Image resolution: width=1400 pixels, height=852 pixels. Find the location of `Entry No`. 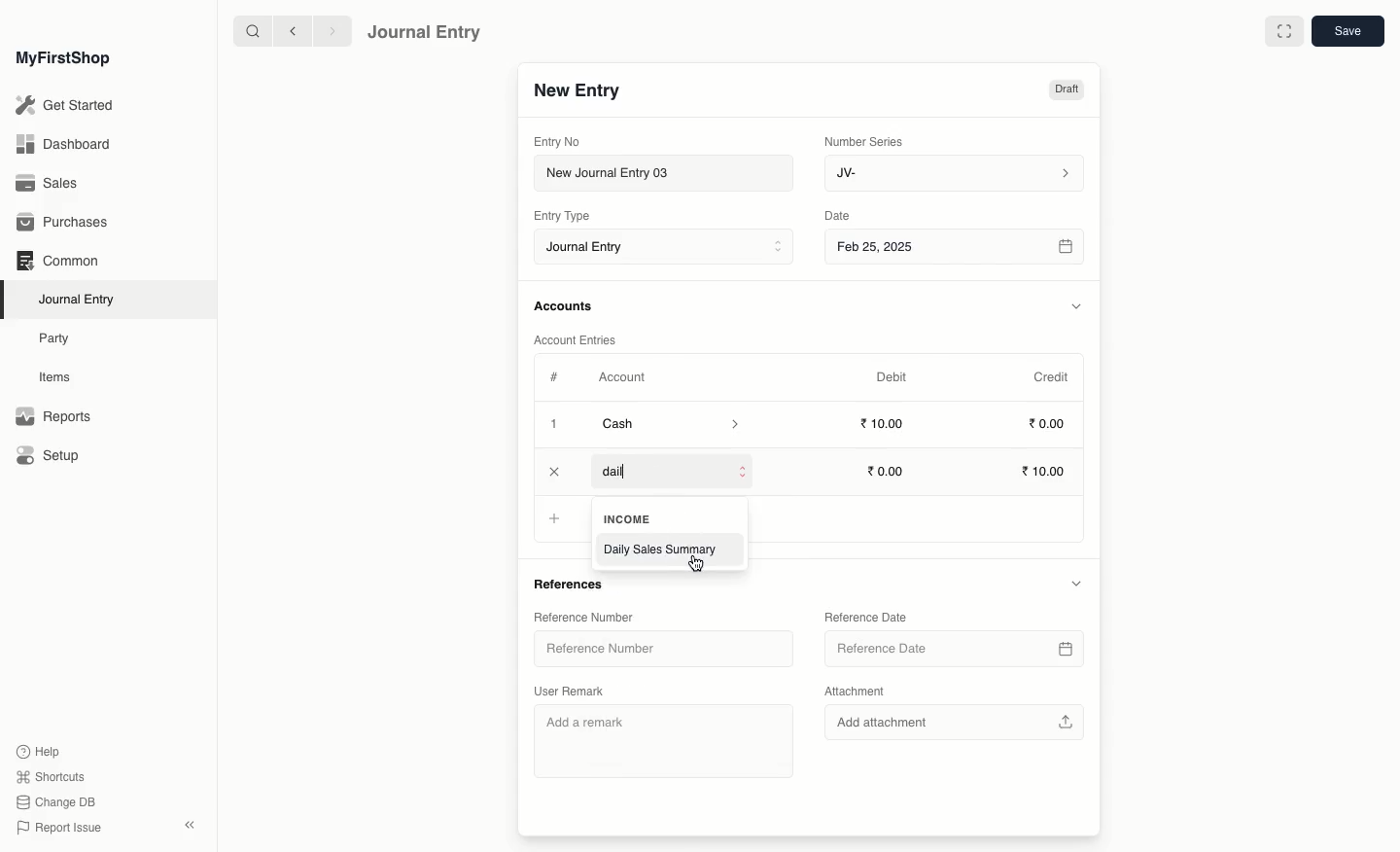

Entry No is located at coordinates (558, 141).